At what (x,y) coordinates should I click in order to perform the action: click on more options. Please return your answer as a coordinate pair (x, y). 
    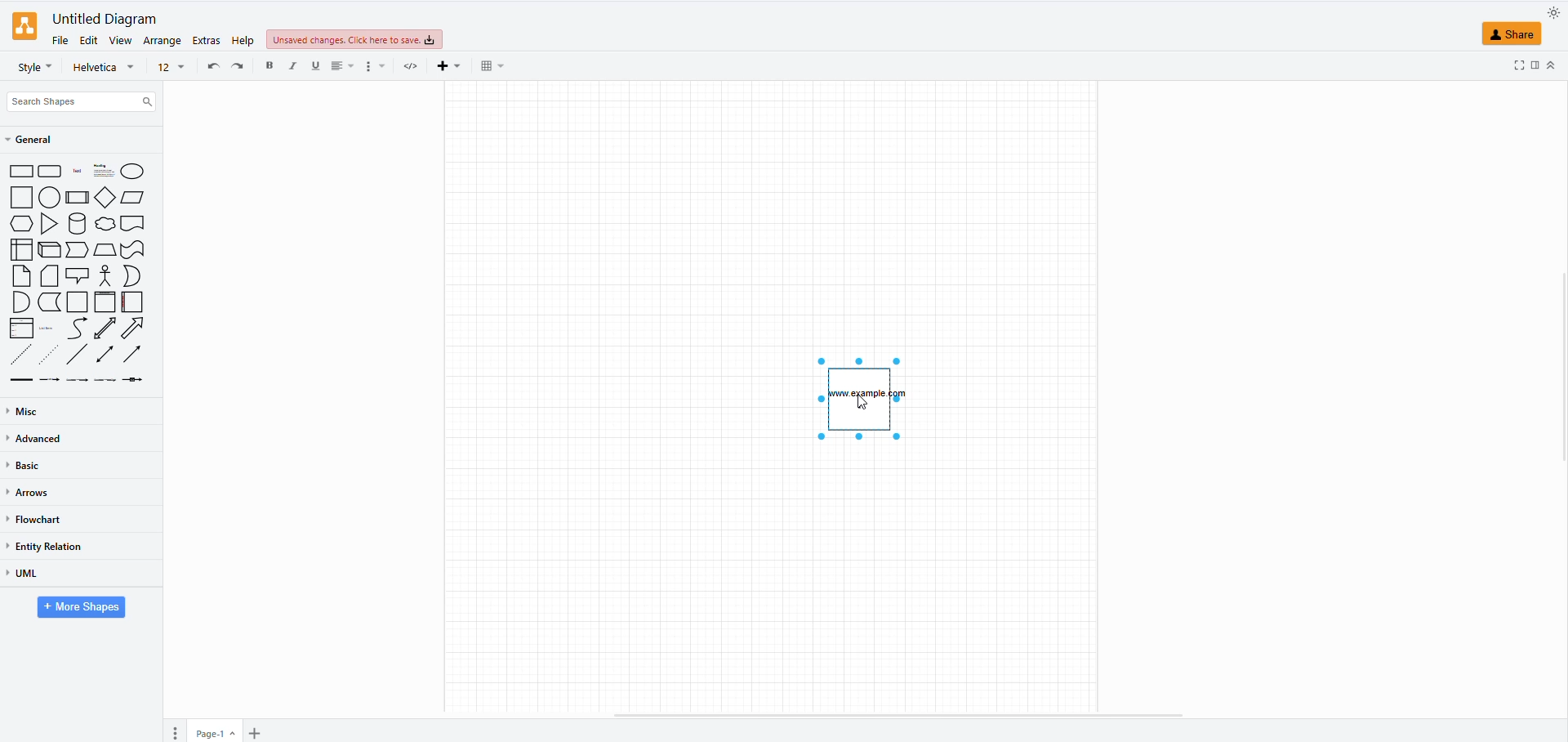
    Looking at the image, I should click on (376, 66).